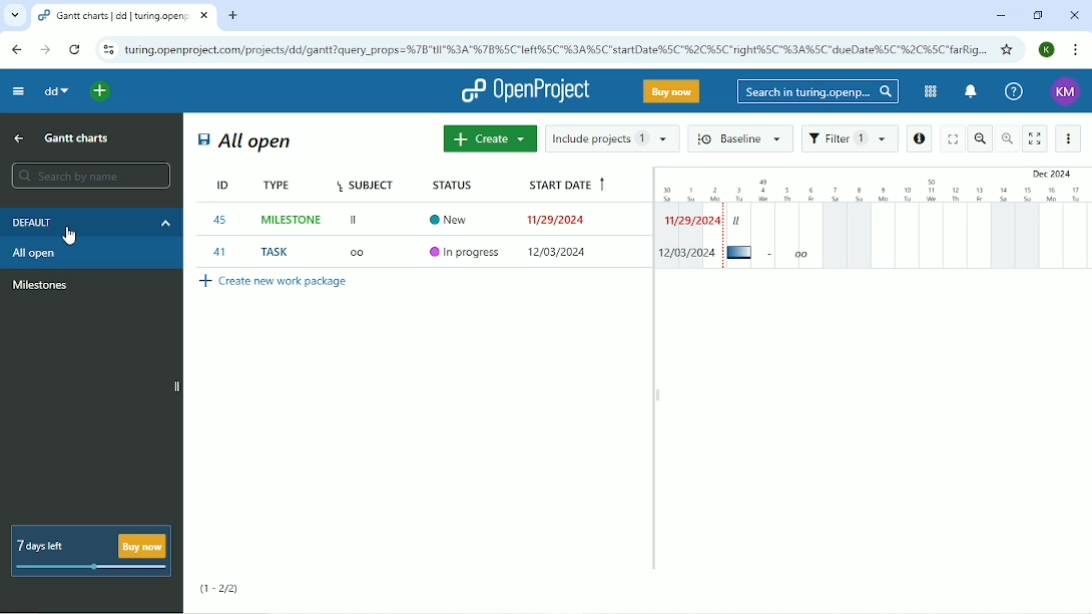 This screenshot has height=614, width=1092. Describe the element at coordinates (244, 140) in the screenshot. I see `All open` at that location.